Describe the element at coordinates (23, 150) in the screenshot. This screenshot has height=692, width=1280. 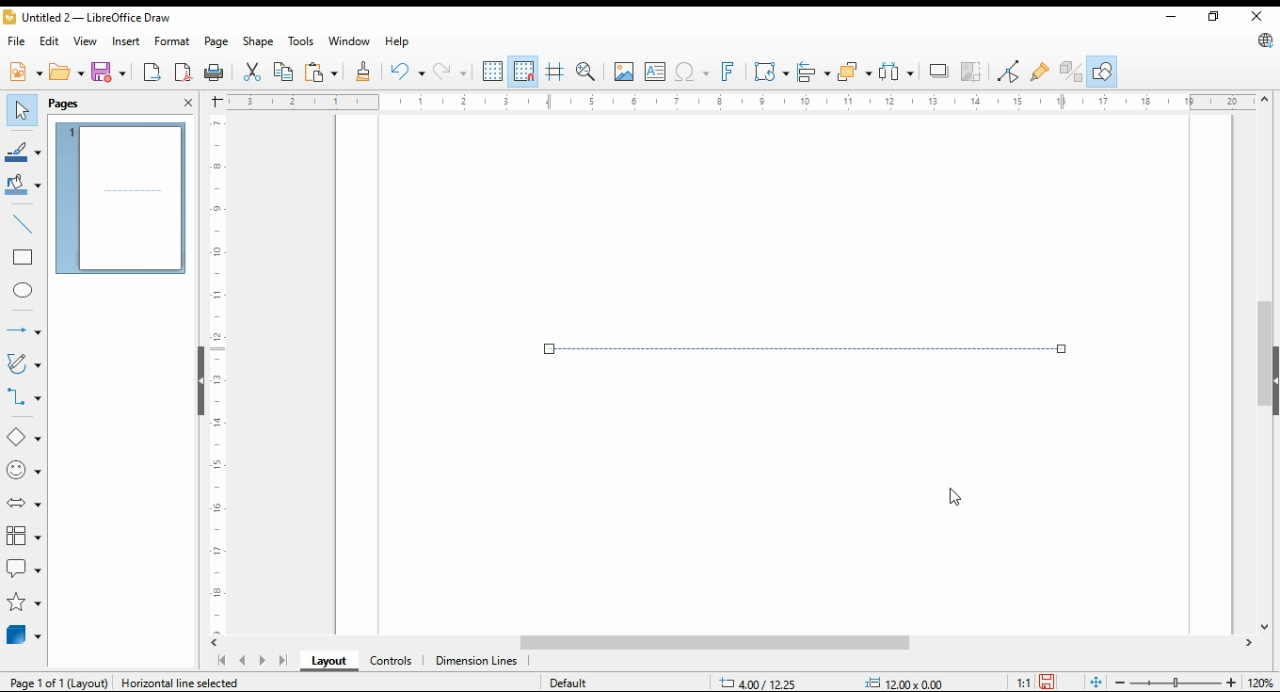
I see `line color` at that location.